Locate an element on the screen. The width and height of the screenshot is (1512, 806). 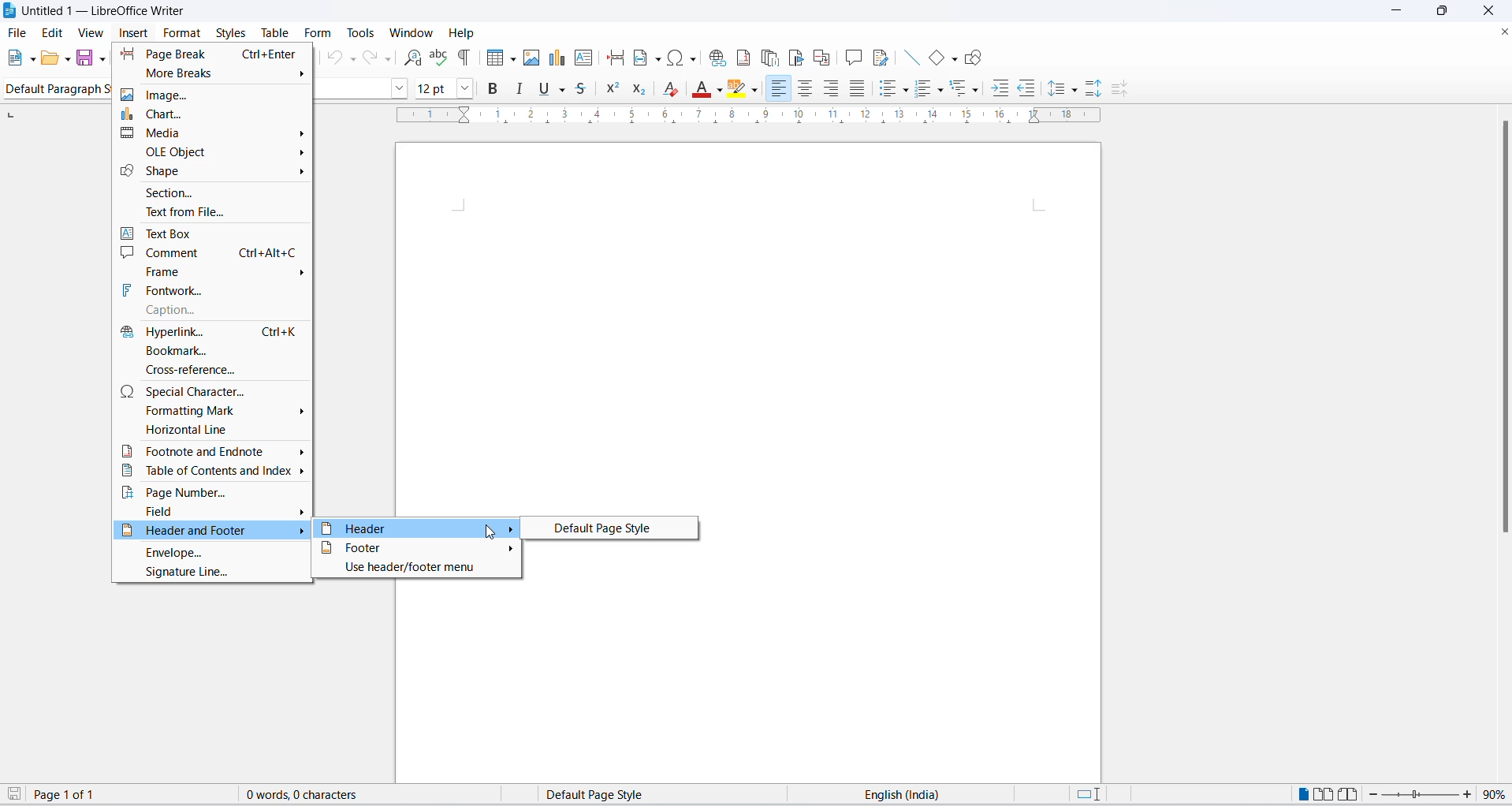
insert chat is located at coordinates (557, 61).